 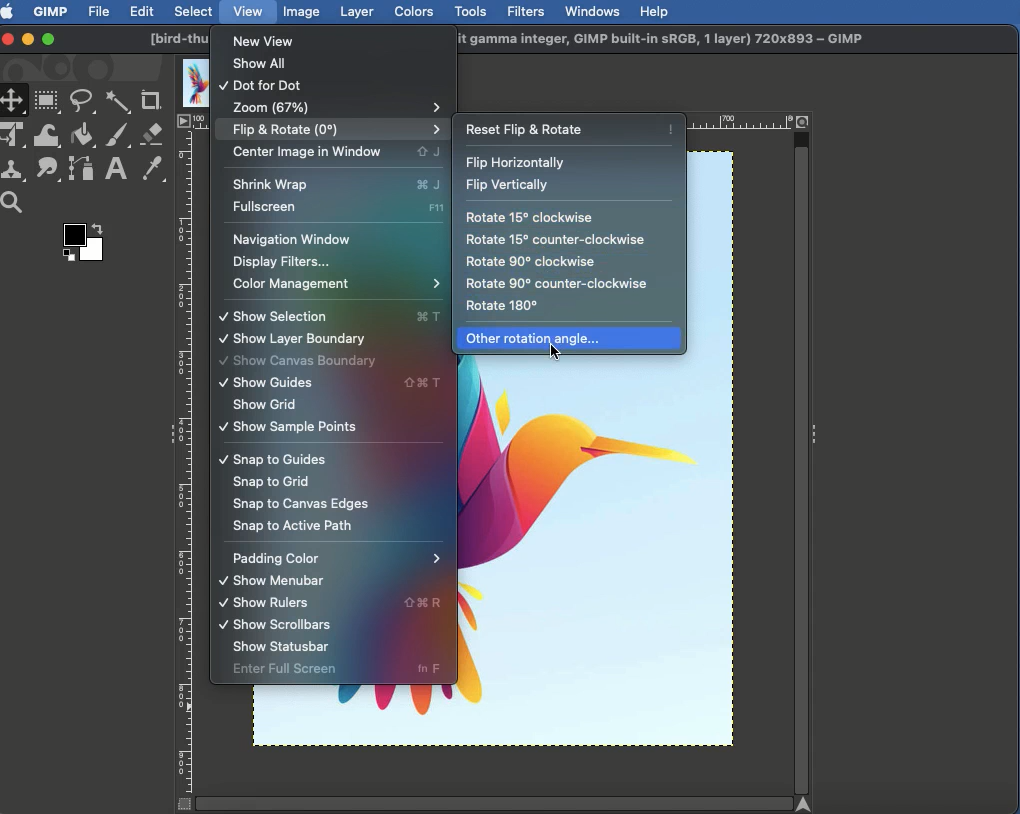 What do you see at coordinates (561, 356) in the screenshot?
I see `cursor` at bounding box center [561, 356].